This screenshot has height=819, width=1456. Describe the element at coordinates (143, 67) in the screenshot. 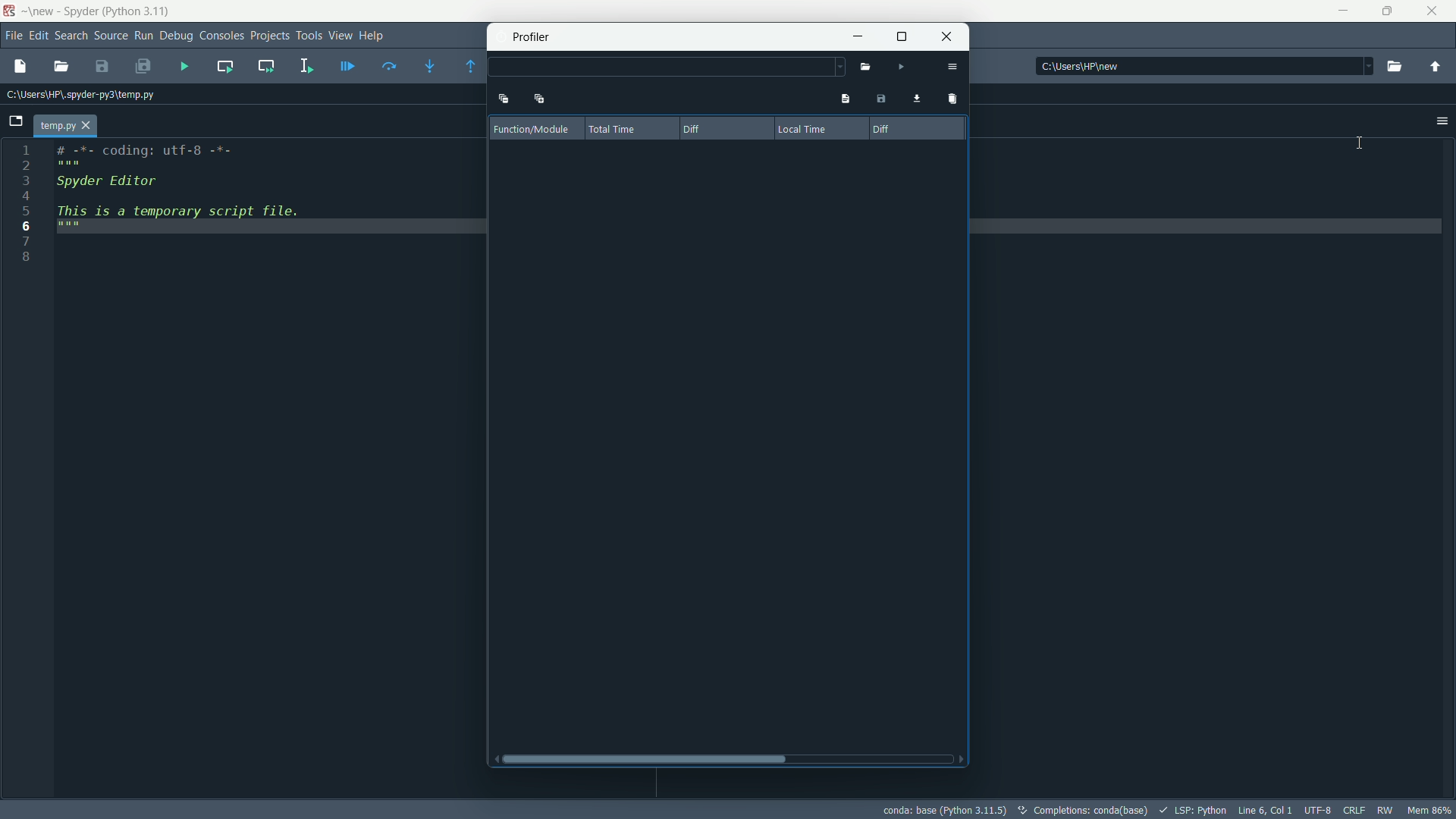

I see `save all files` at that location.